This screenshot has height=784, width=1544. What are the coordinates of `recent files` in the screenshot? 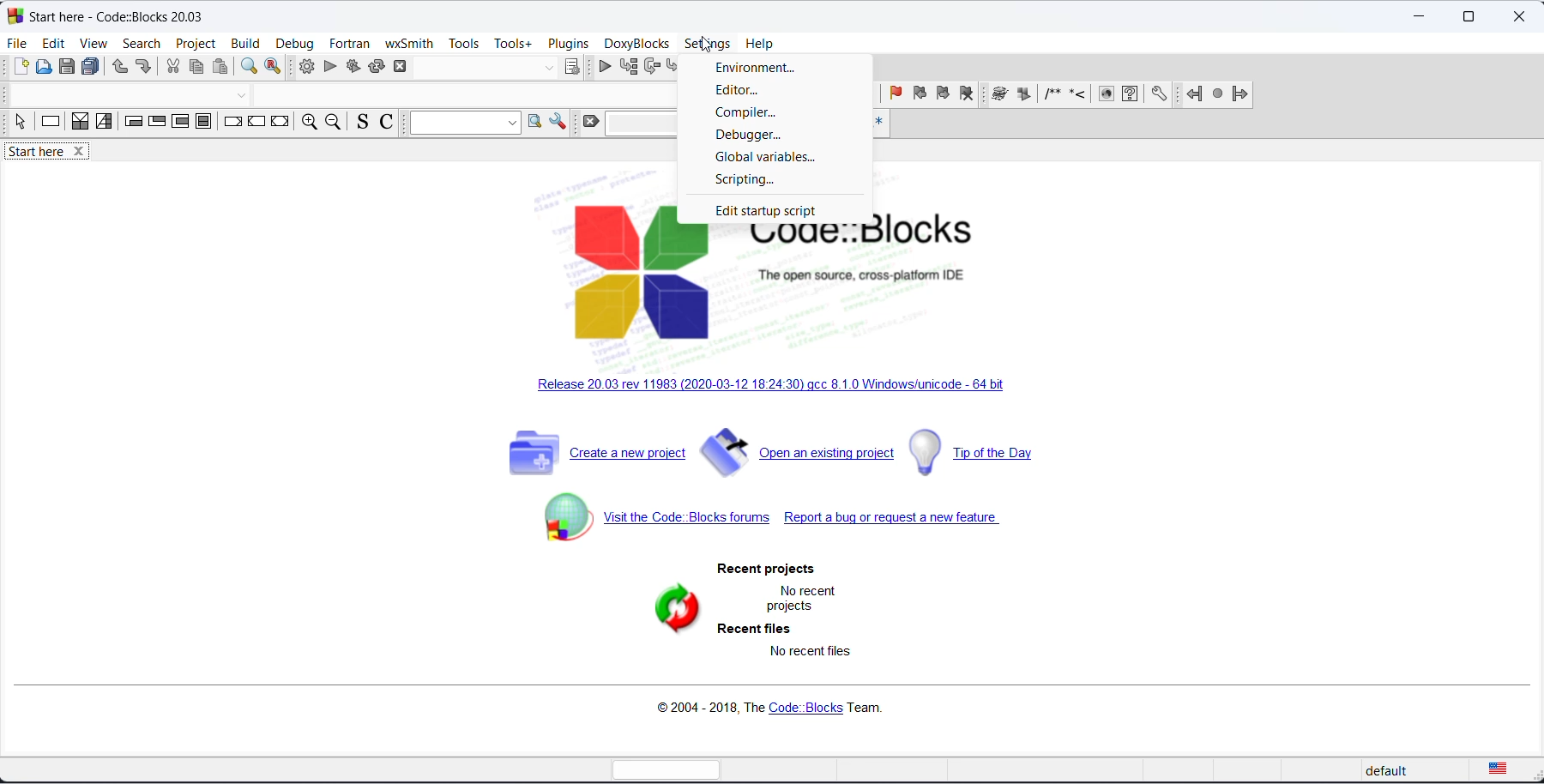 It's located at (756, 630).